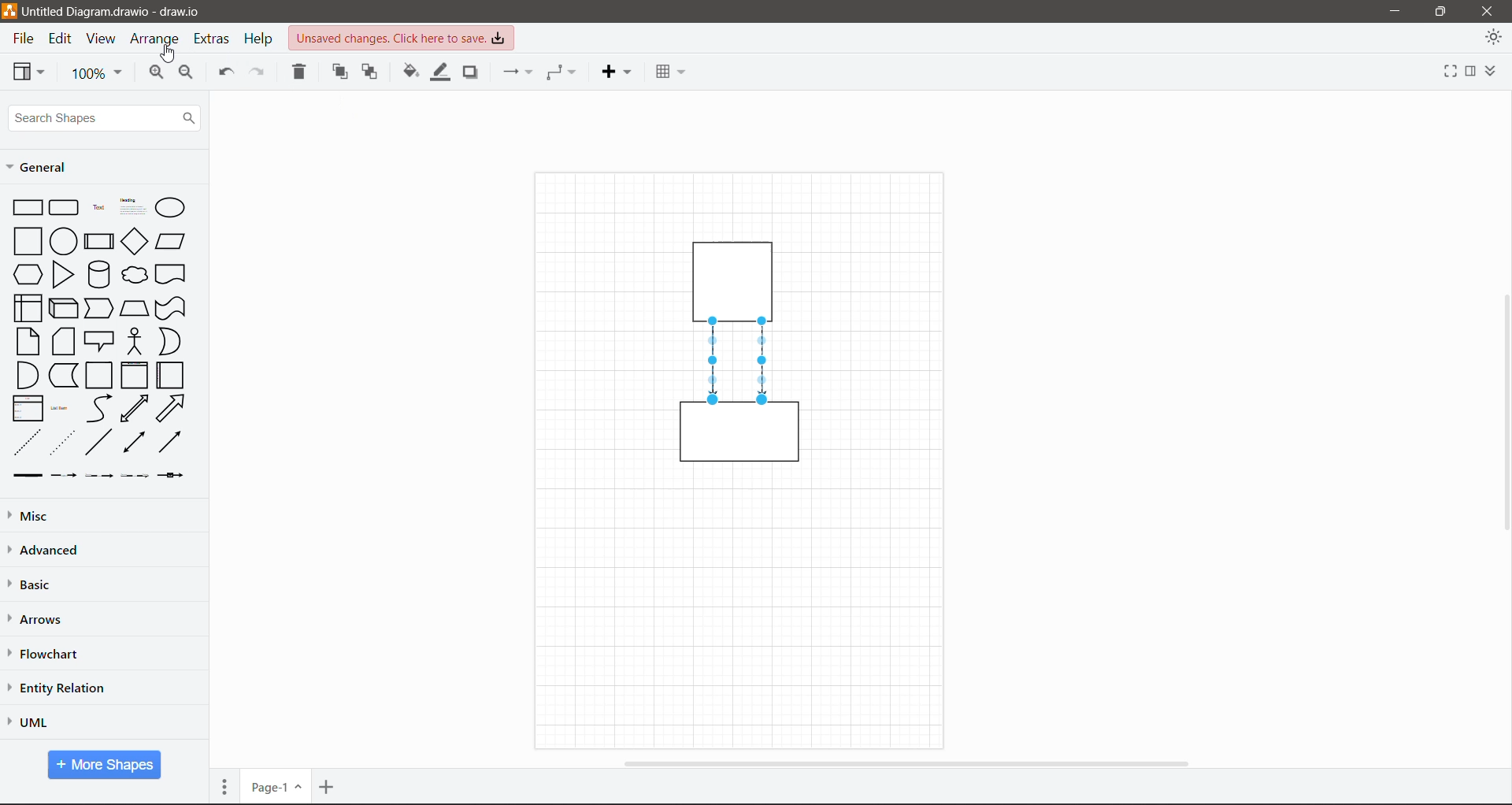  I want to click on And, so click(26, 375).